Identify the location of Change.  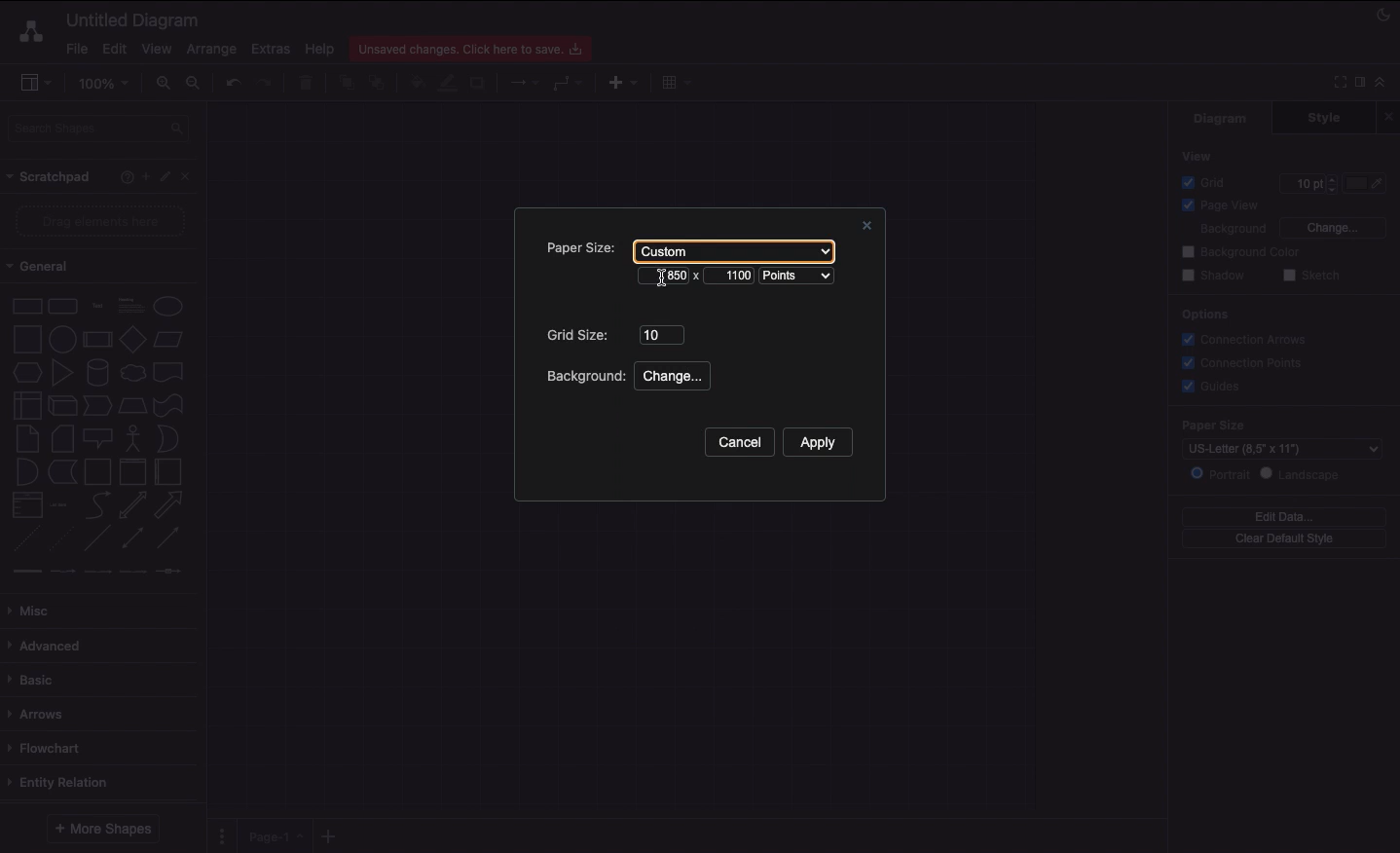
(1332, 226).